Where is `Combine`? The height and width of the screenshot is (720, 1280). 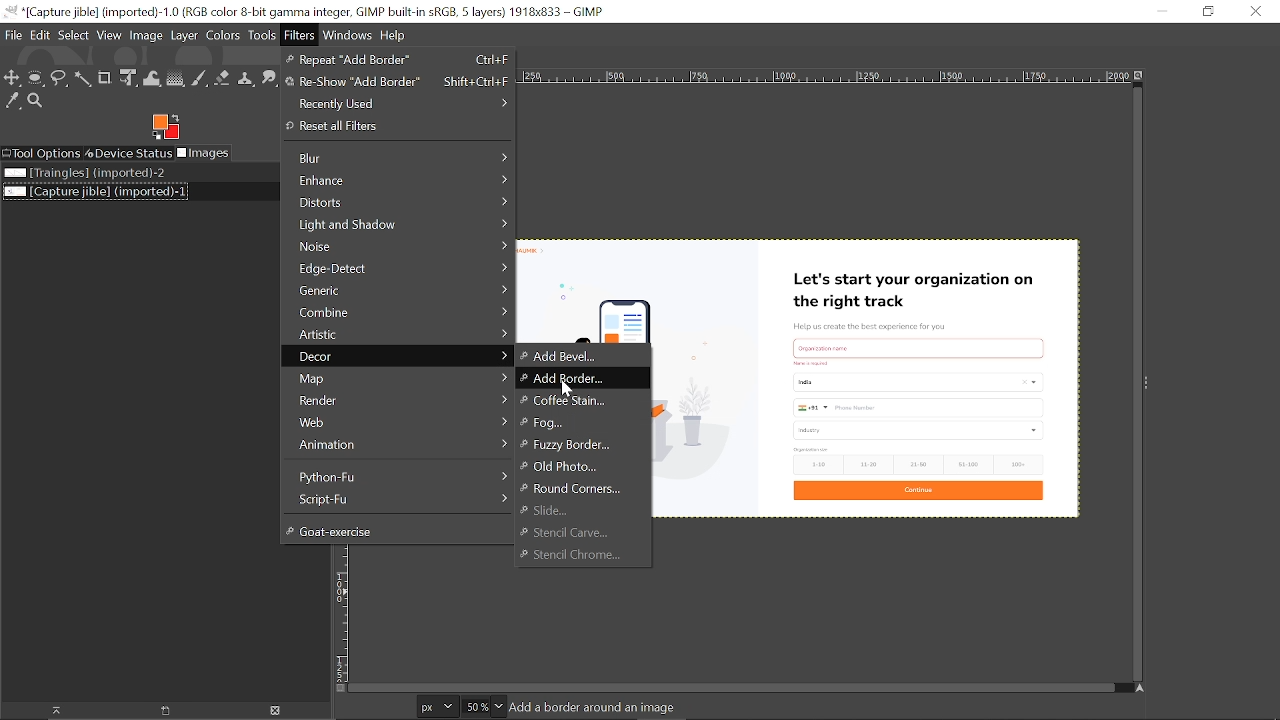 Combine is located at coordinates (400, 314).